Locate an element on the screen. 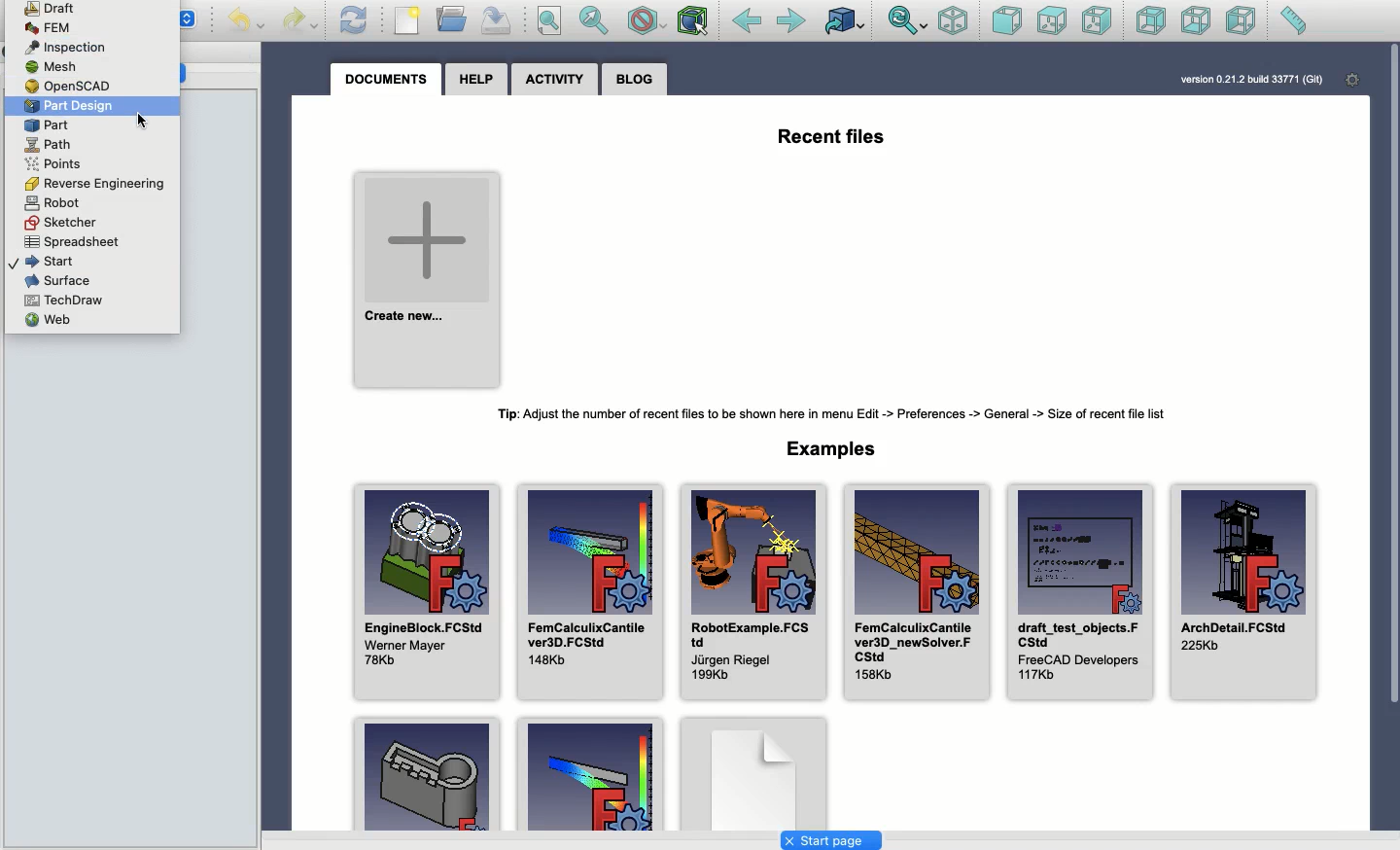  Mesh is located at coordinates (52, 66).